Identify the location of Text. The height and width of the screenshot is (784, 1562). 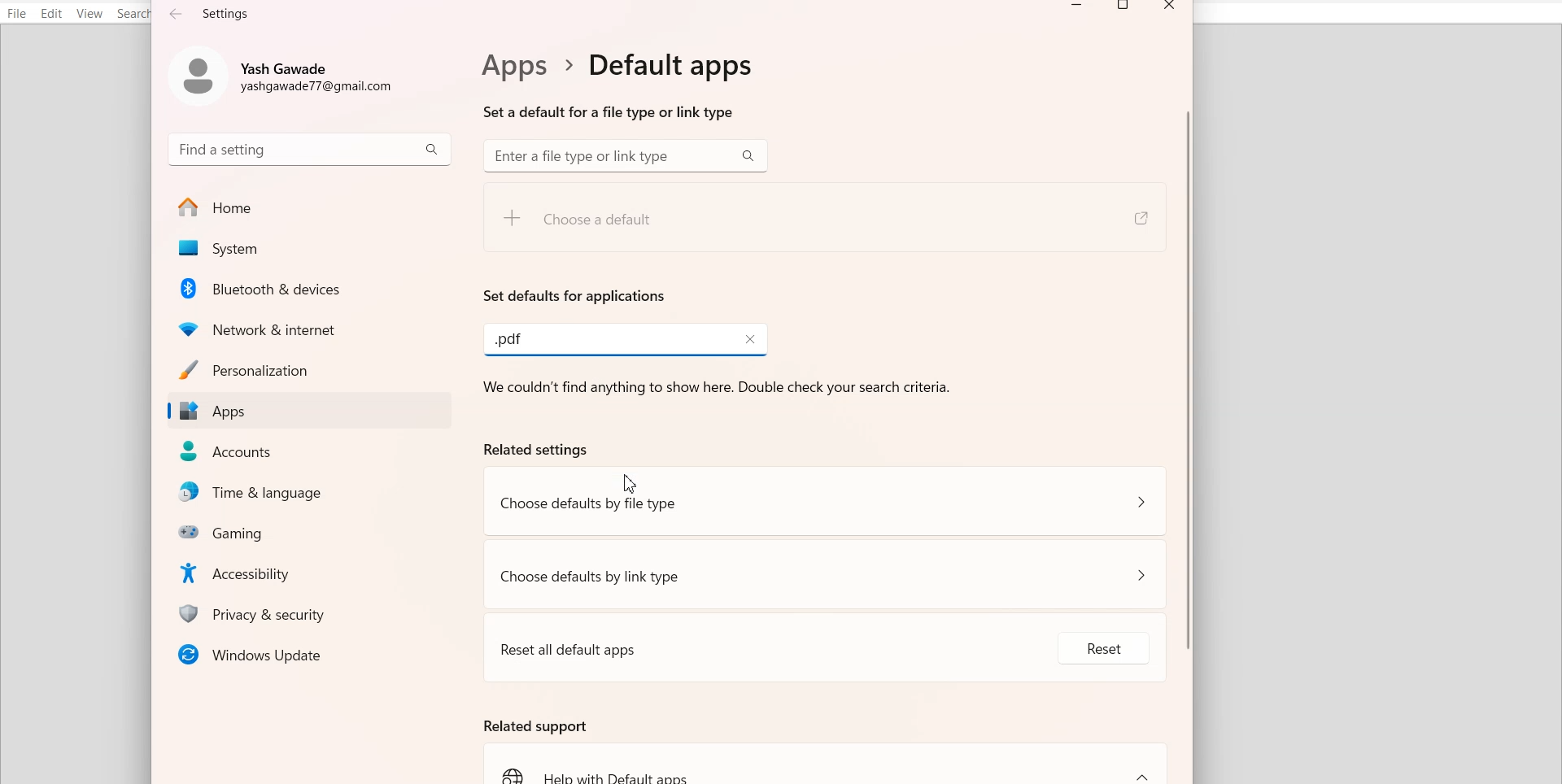
(534, 725).